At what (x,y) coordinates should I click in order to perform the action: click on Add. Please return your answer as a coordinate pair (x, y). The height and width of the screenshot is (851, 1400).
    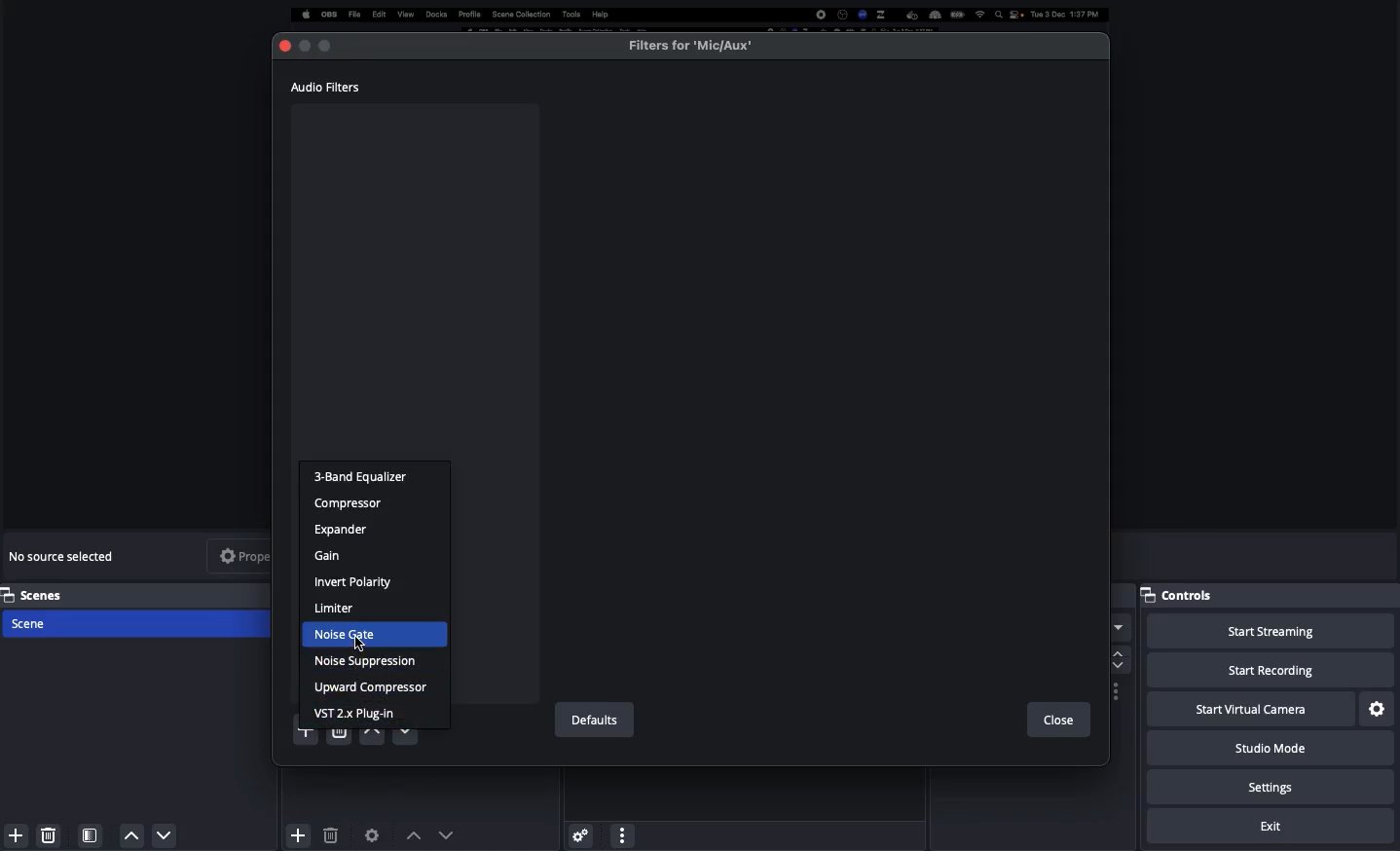
    Looking at the image, I should click on (297, 738).